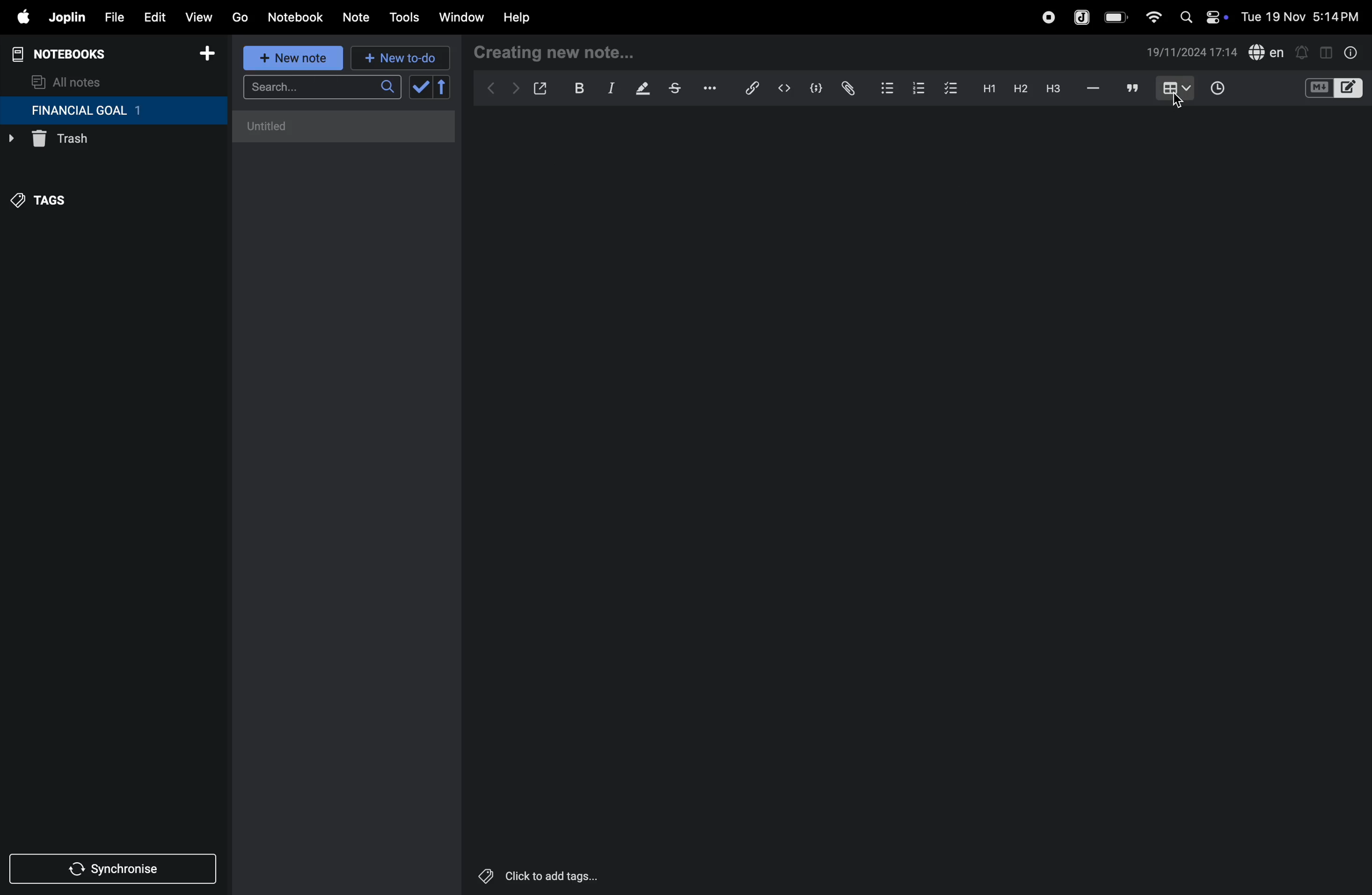 This screenshot has height=895, width=1372. What do you see at coordinates (1179, 104) in the screenshot?
I see `cursor` at bounding box center [1179, 104].